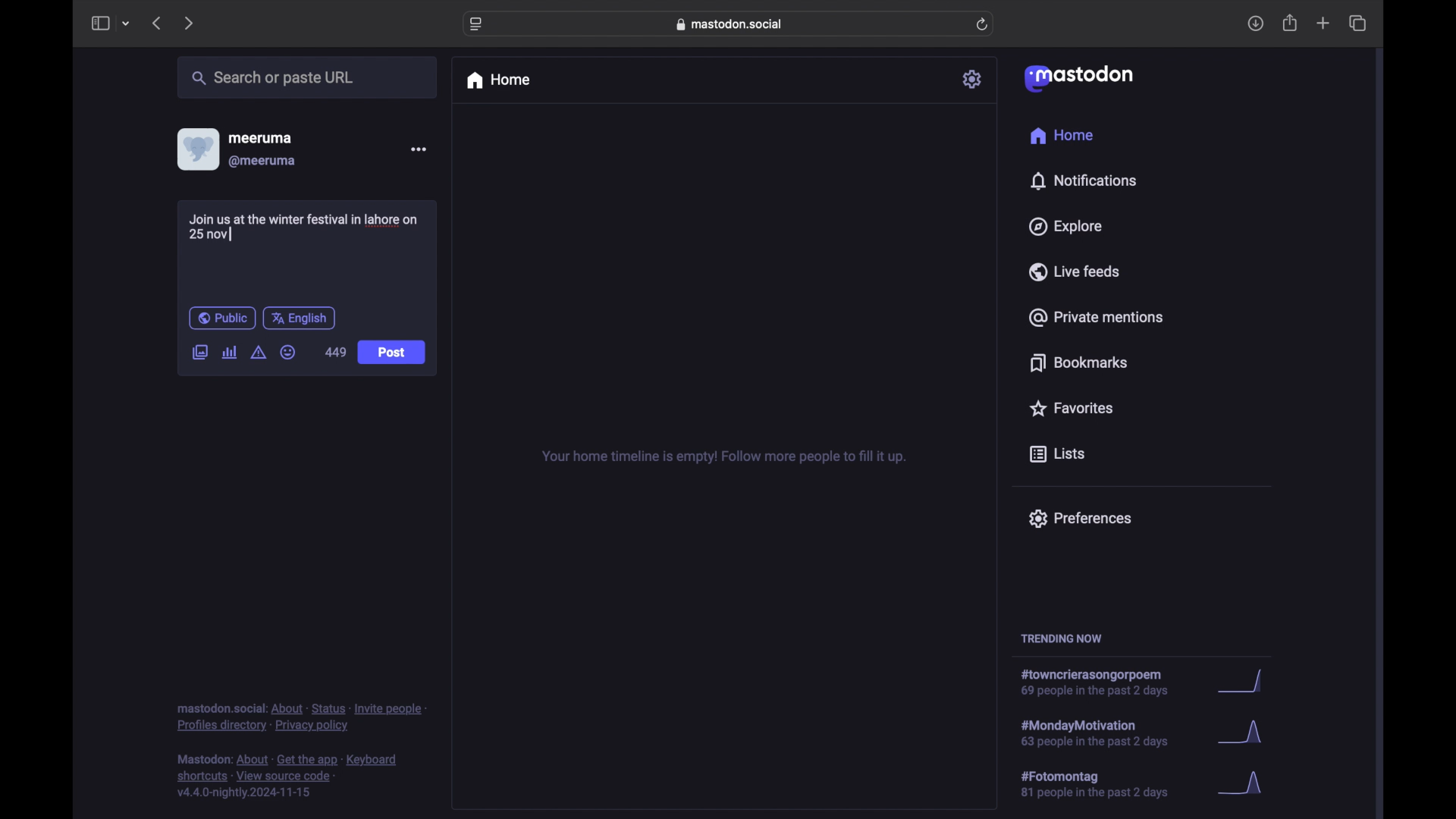 The width and height of the screenshot is (1456, 819). I want to click on graph, so click(1244, 682).